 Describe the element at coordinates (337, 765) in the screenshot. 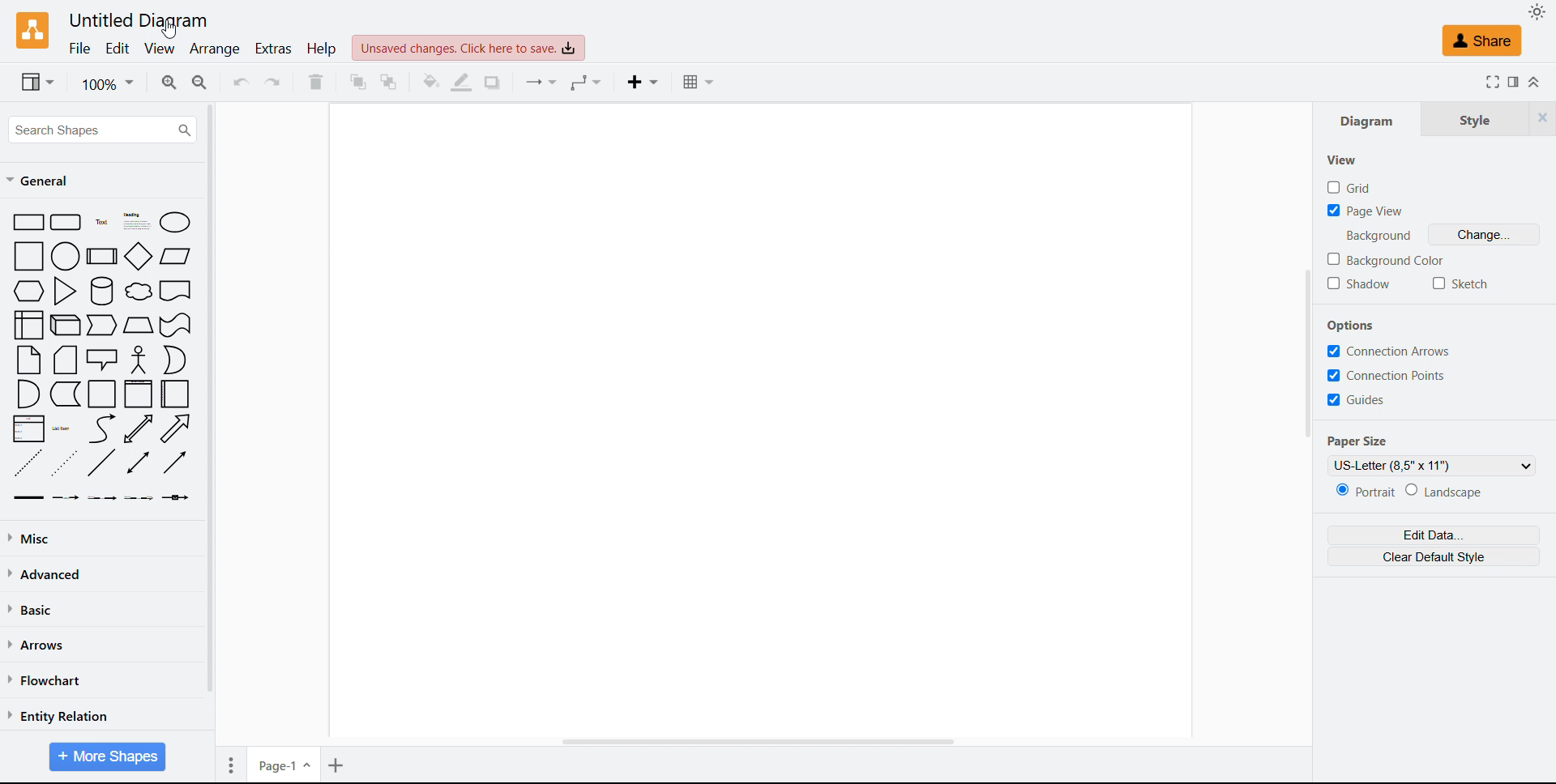

I see `Add page ` at that location.